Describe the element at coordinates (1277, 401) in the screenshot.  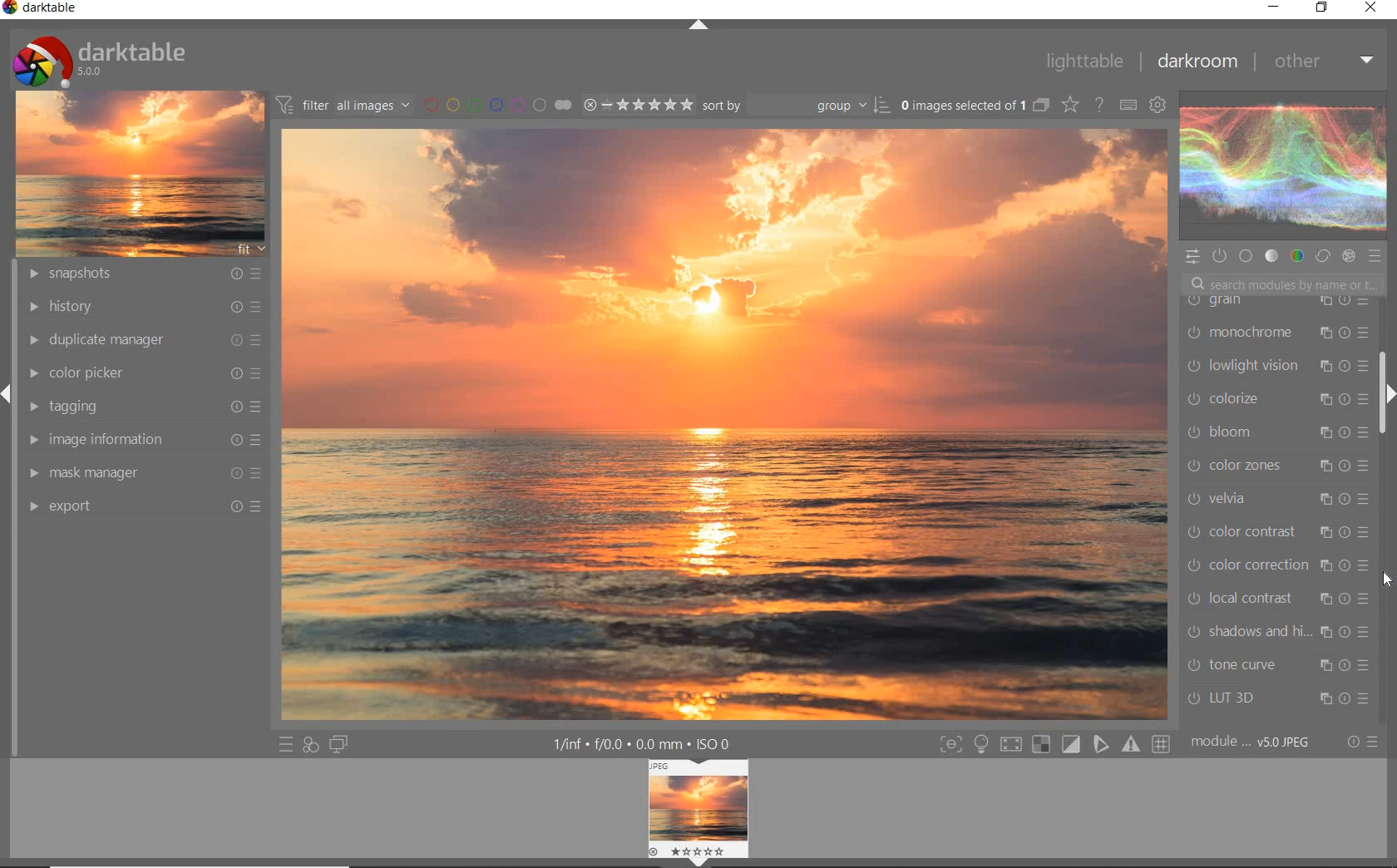
I see `colorize` at that location.